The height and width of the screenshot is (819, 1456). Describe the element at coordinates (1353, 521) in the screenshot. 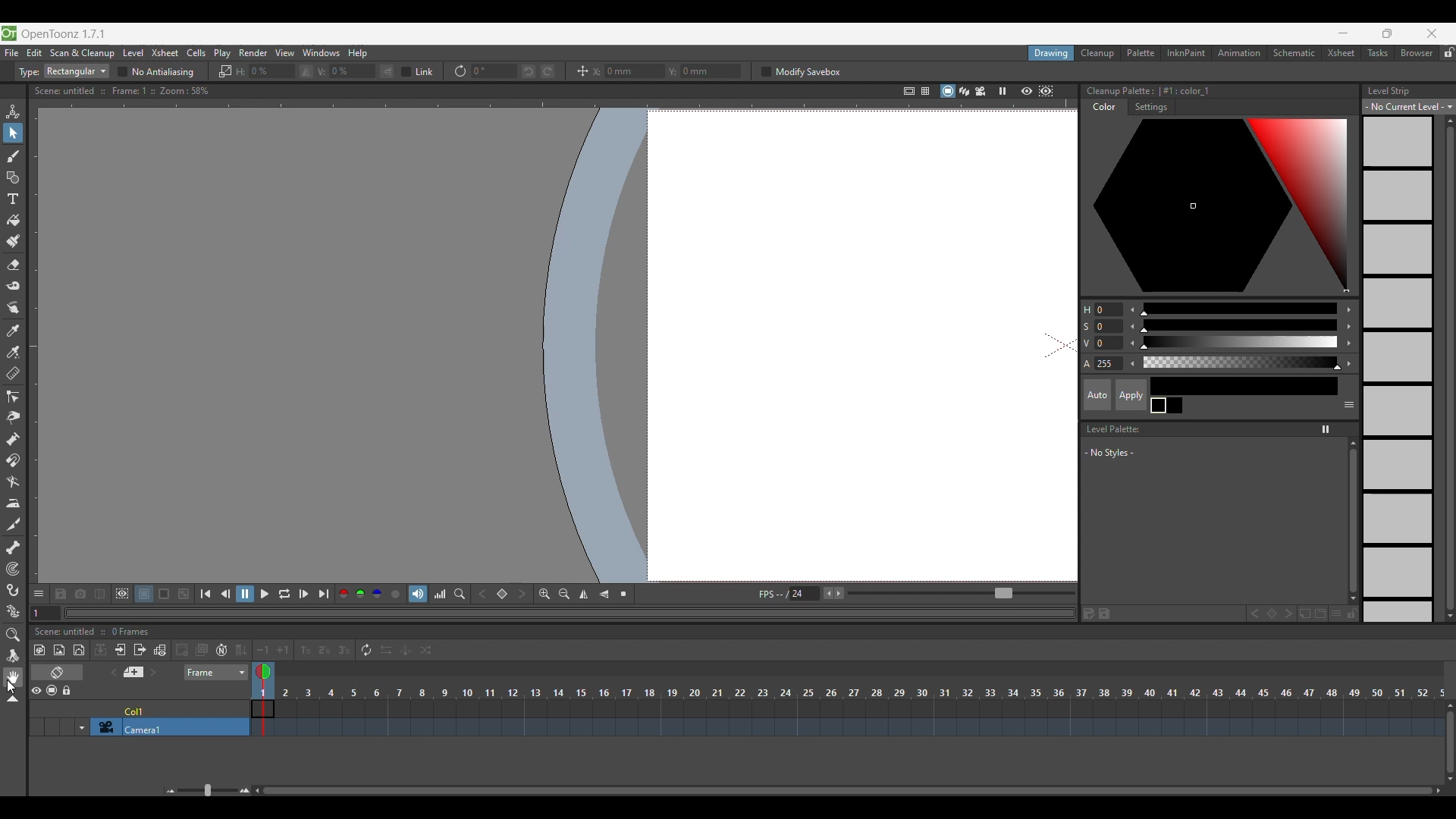

I see `Vertical slide bar` at that location.